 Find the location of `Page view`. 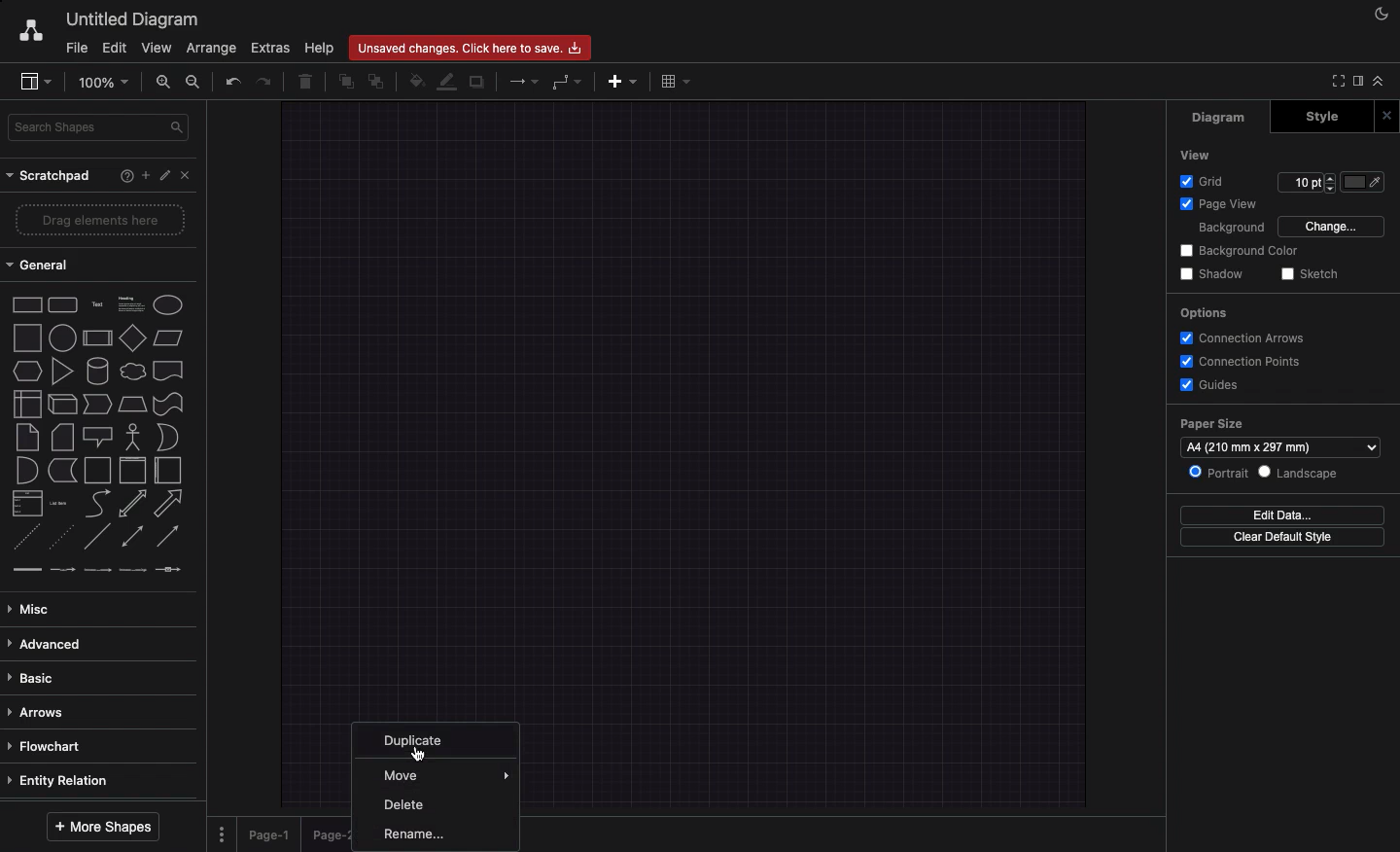

Page view is located at coordinates (1214, 202).